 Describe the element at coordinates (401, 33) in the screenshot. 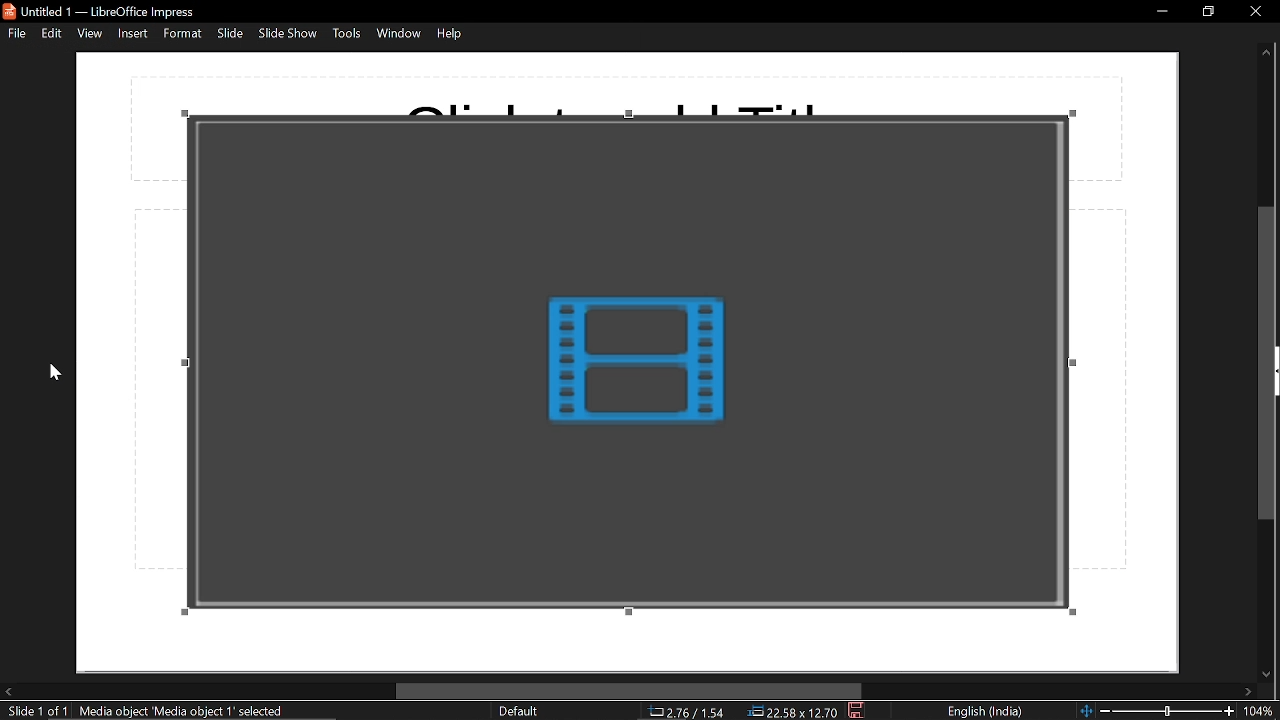

I see `window` at that location.